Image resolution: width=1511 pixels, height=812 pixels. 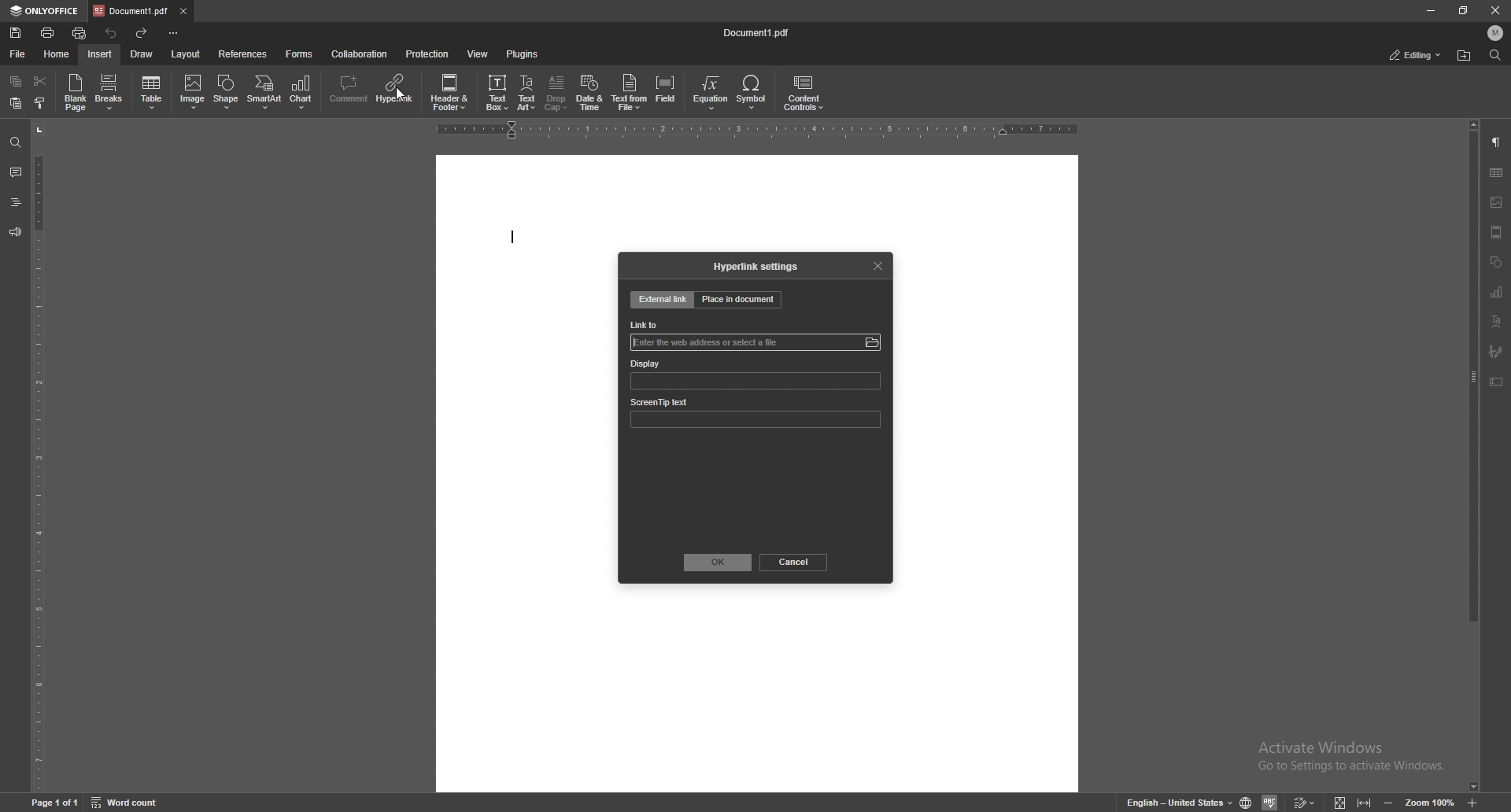 I want to click on content controls, so click(x=804, y=92).